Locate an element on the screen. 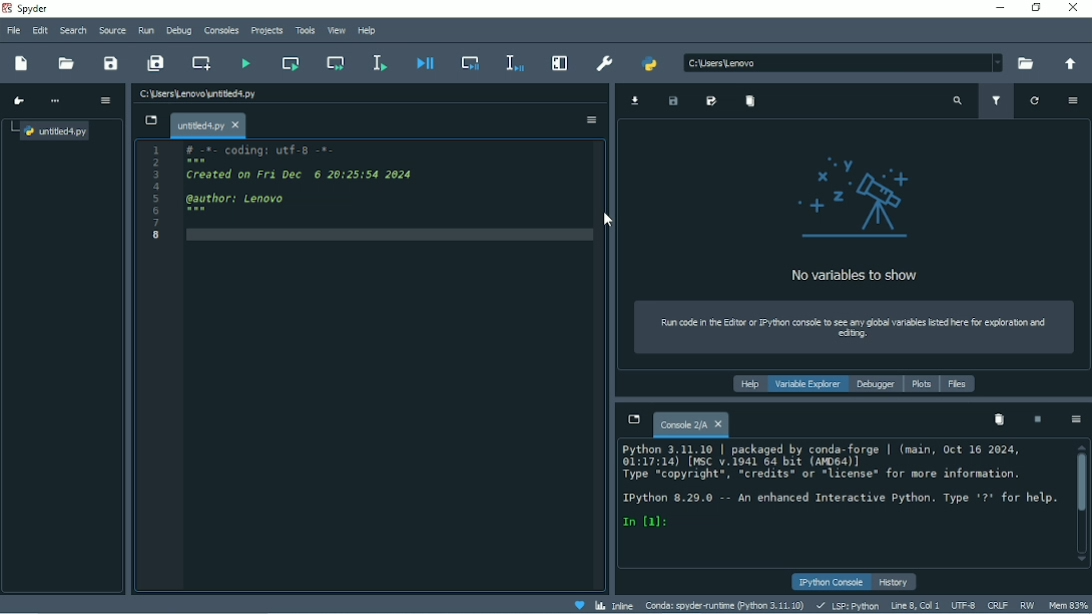 Image resolution: width=1092 pixels, height=614 pixels. RW is located at coordinates (1028, 605).